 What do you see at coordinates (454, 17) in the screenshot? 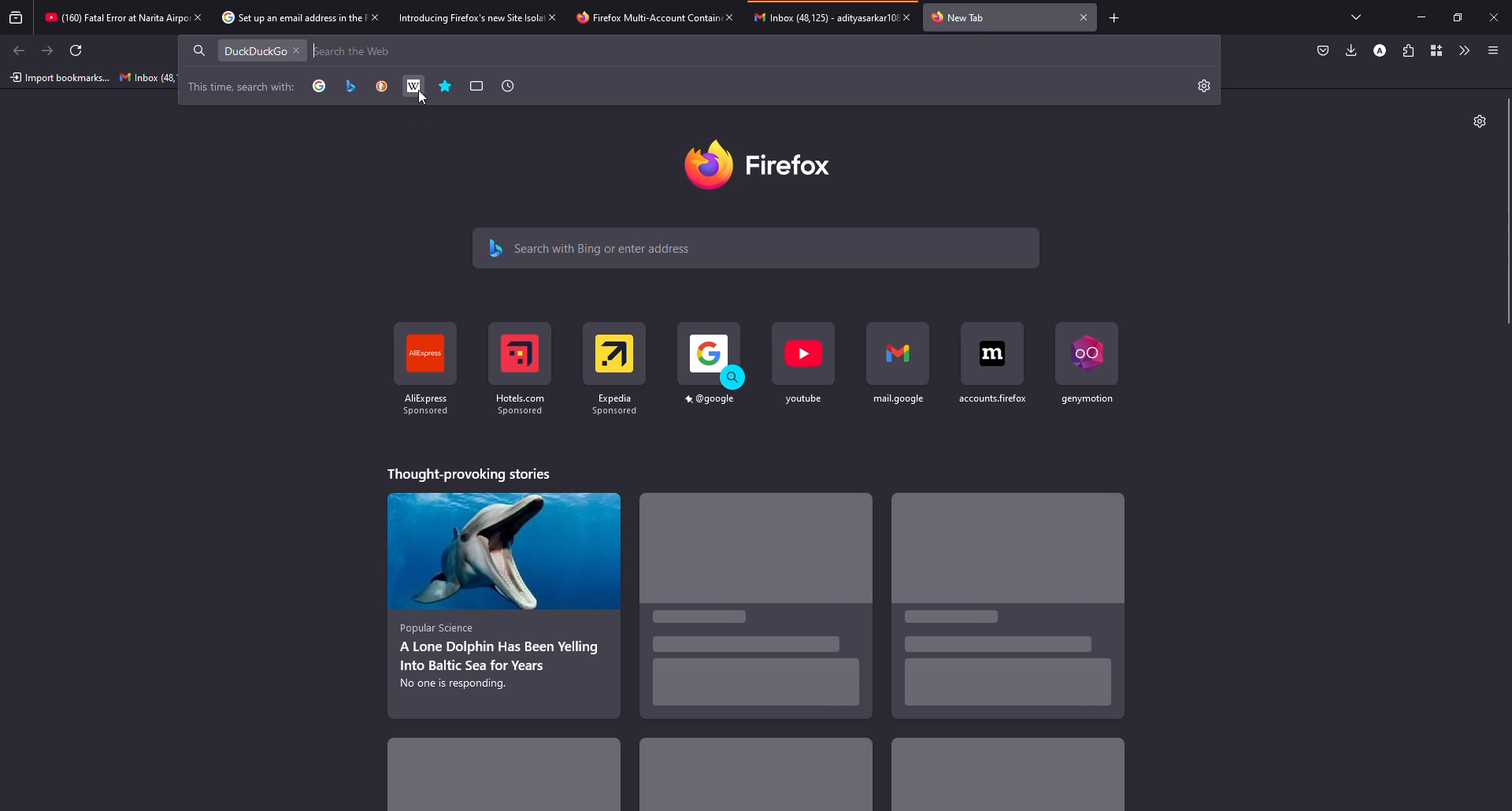
I see `tab` at bounding box center [454, 17].